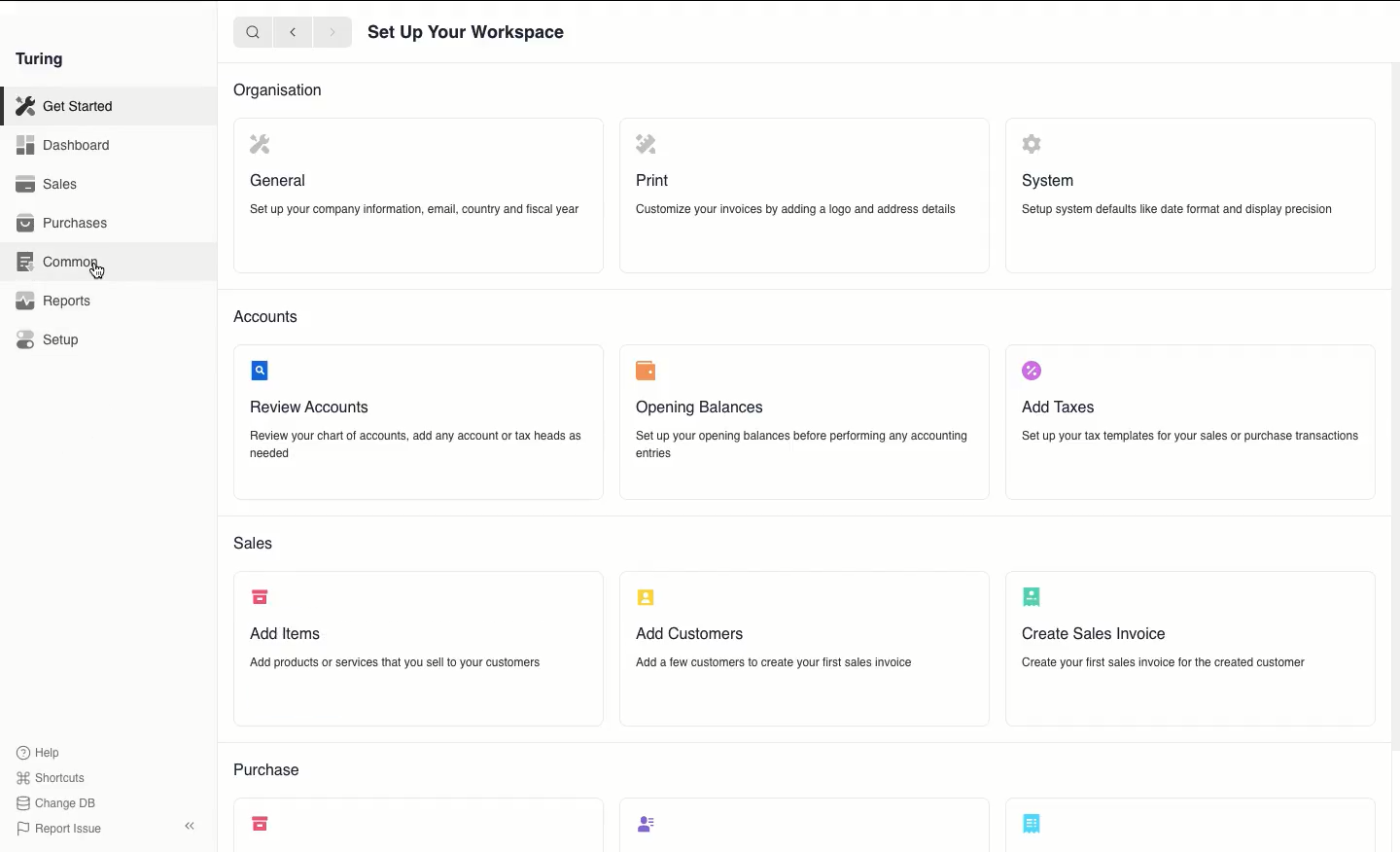 The image size is (1400, 852). I want to click on Search, so click(252, 31).